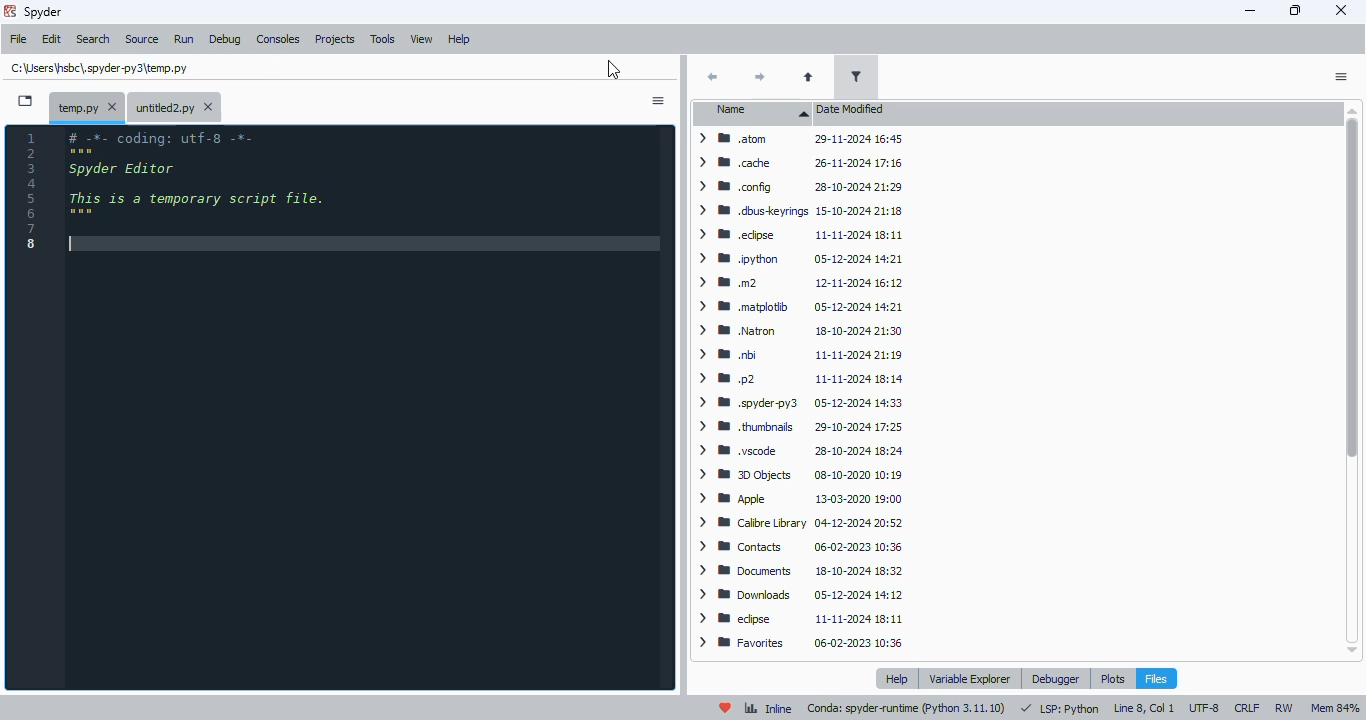 The width and height of the screenshot is (1366, 720). What do you see at coordinates (899, 679) in the screenshot?
I see `help` at bounding box center [899, 679].